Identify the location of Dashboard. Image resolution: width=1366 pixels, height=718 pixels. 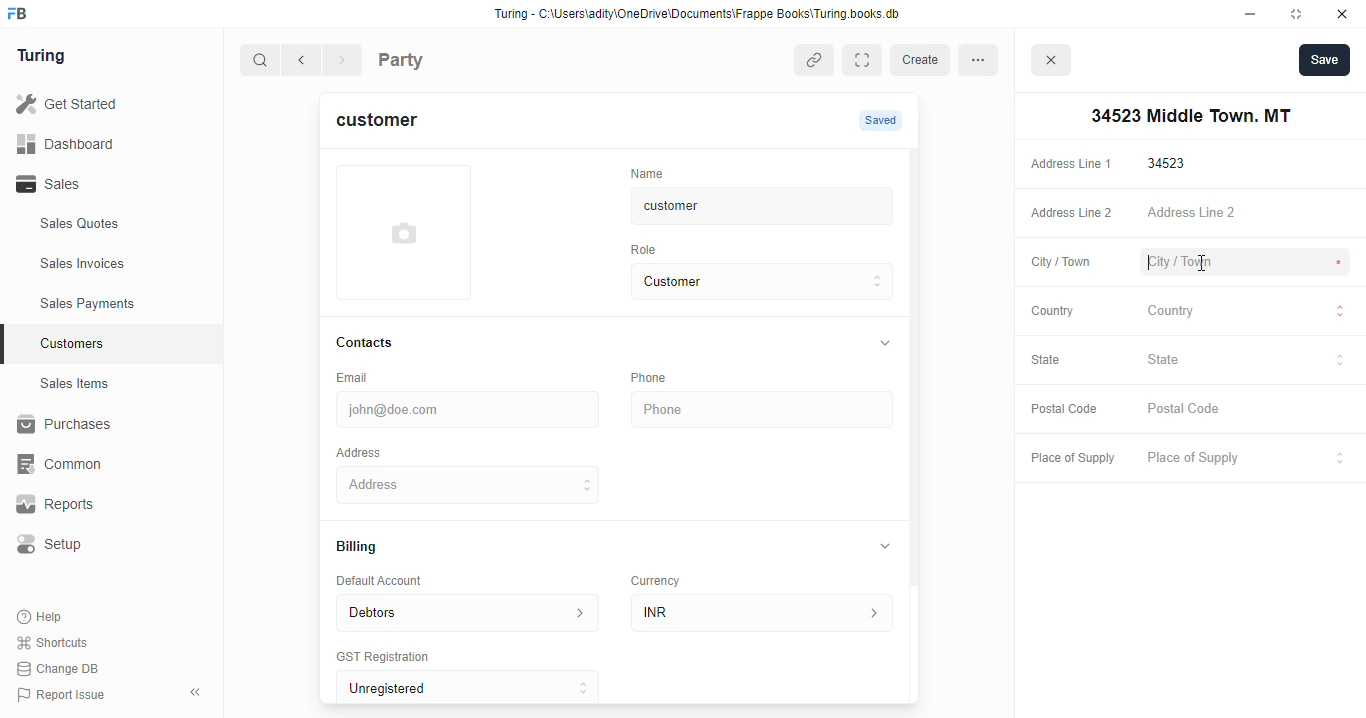
(95, 143).